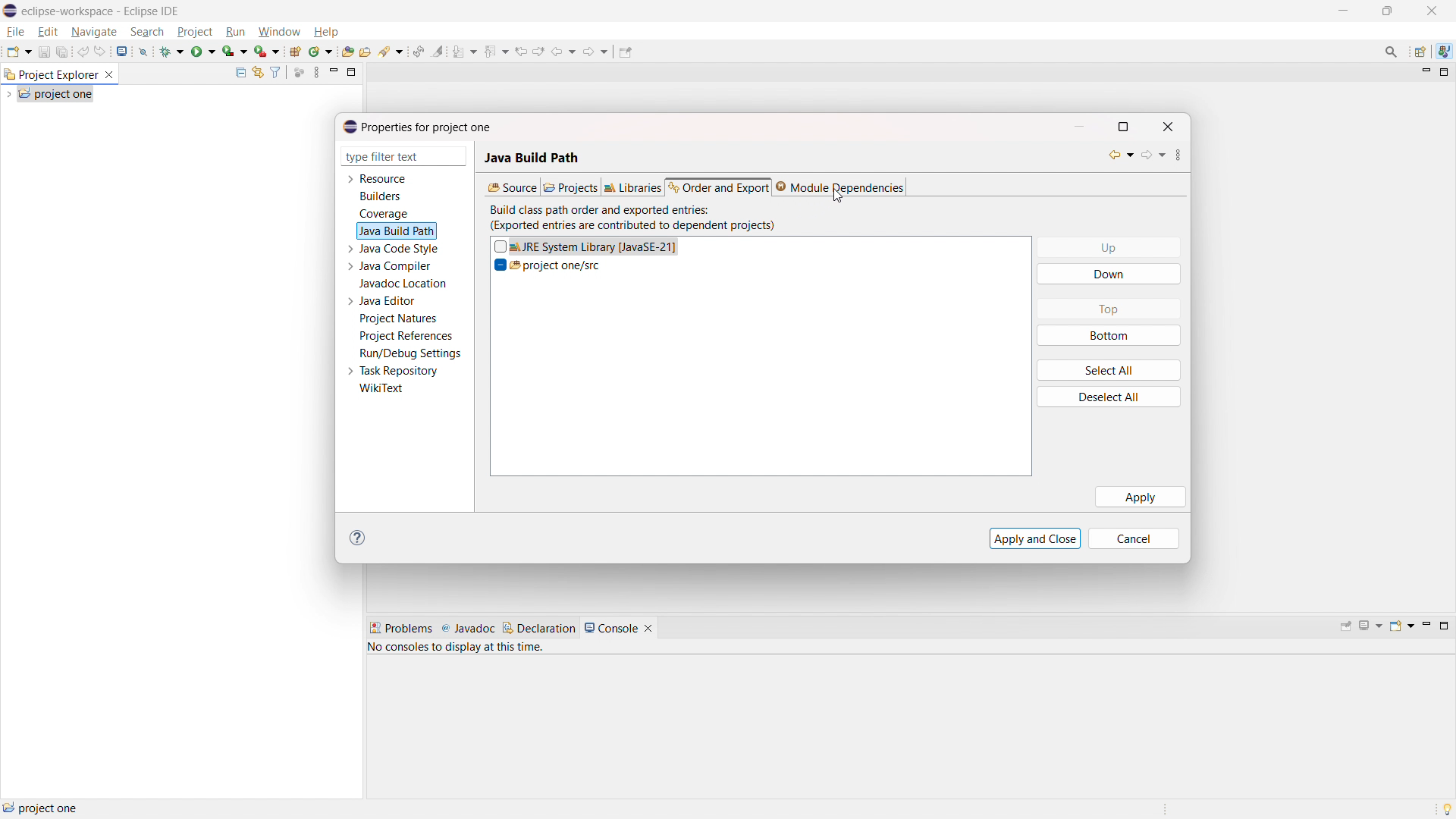 The height and width of the screenshot is (819, 1456). What do you see at coordinates (611, 628) in the screenshot?
I see `console` at bounding box center [611, 628].